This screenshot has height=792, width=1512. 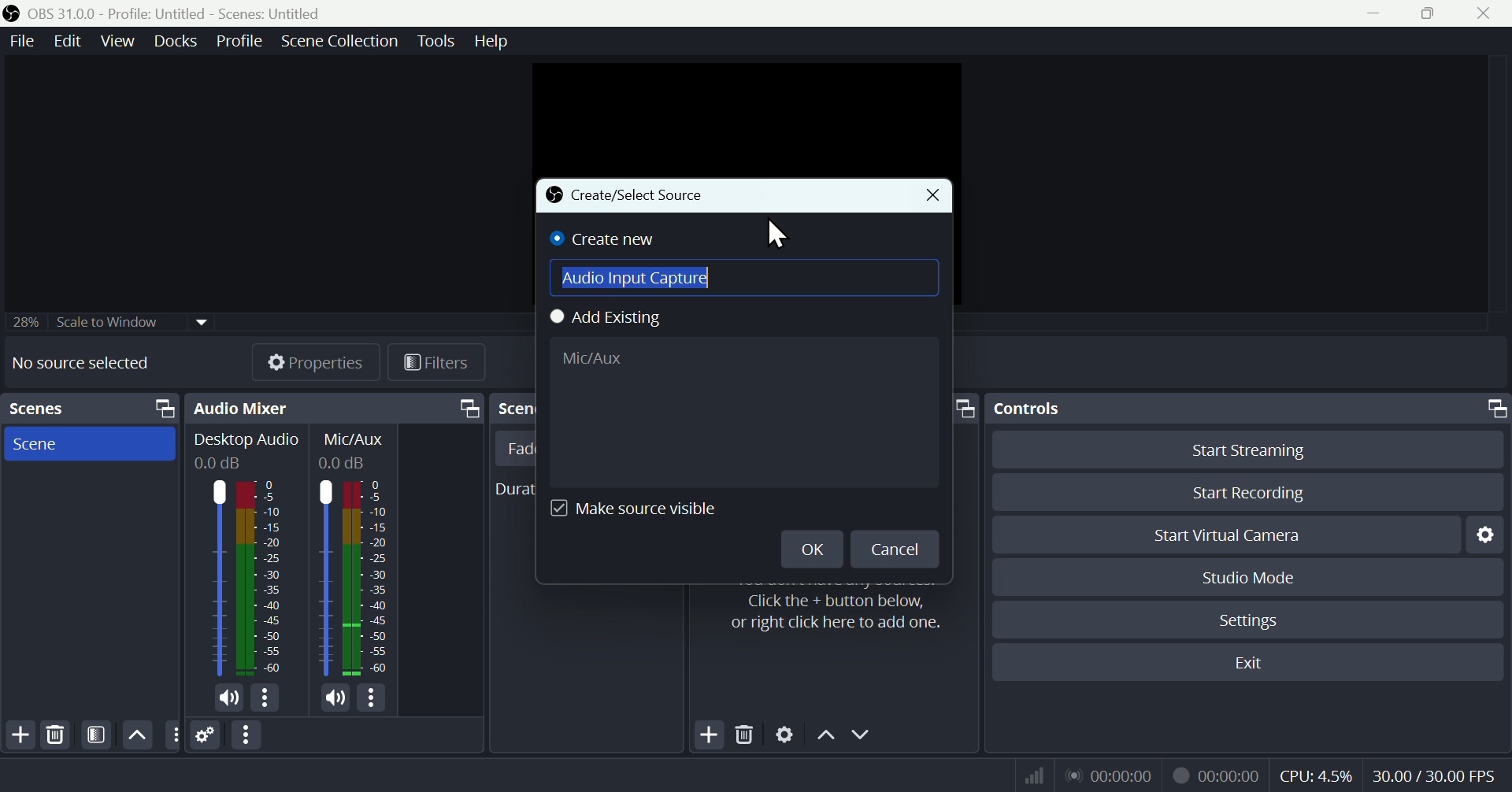 What do you see at coordinates (266, 698) in the screenshot?
I see `More options` at bounding box center [266, 698].